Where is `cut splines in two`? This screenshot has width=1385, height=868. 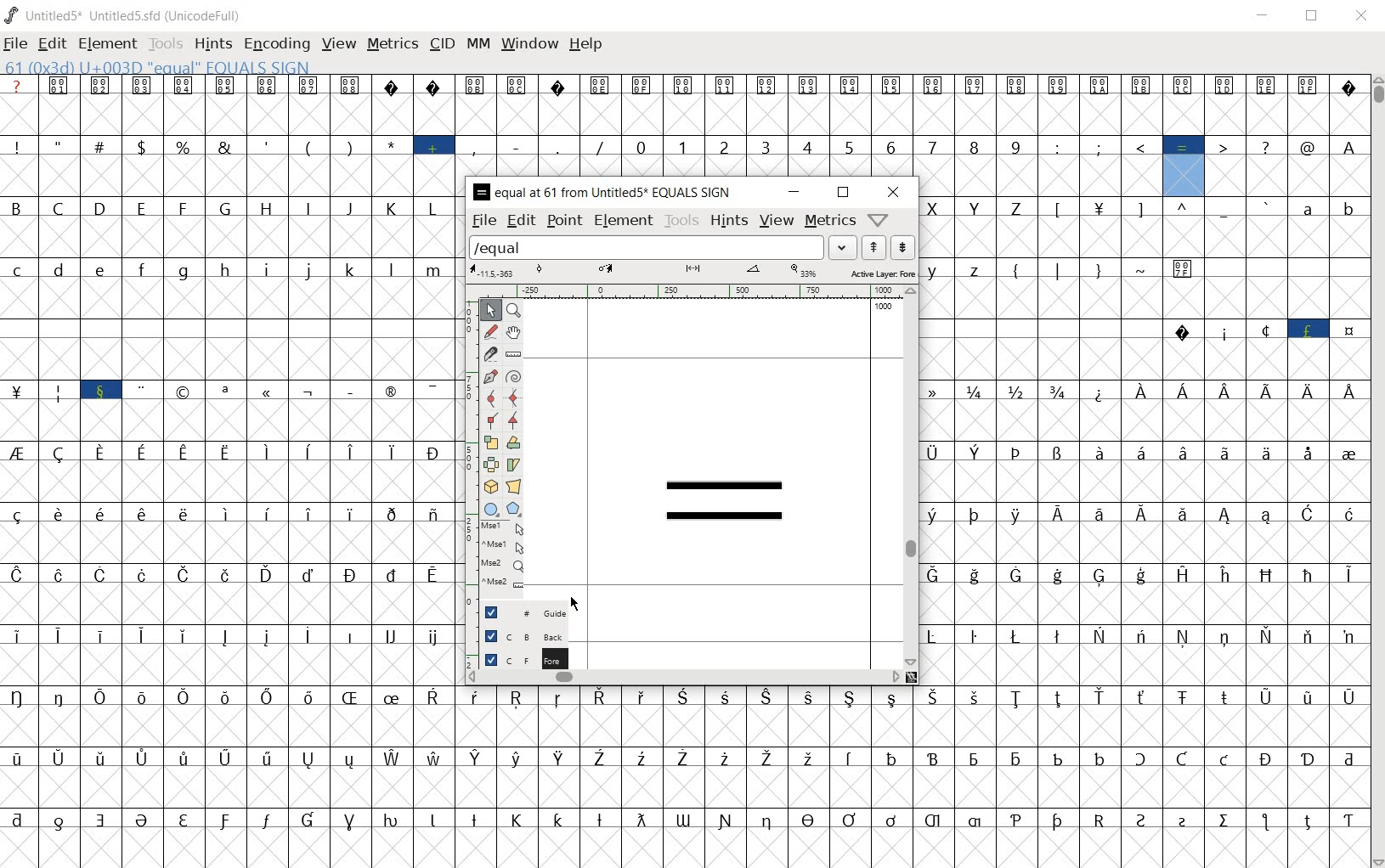
cut splines in two is located at coordinates (489, 352).